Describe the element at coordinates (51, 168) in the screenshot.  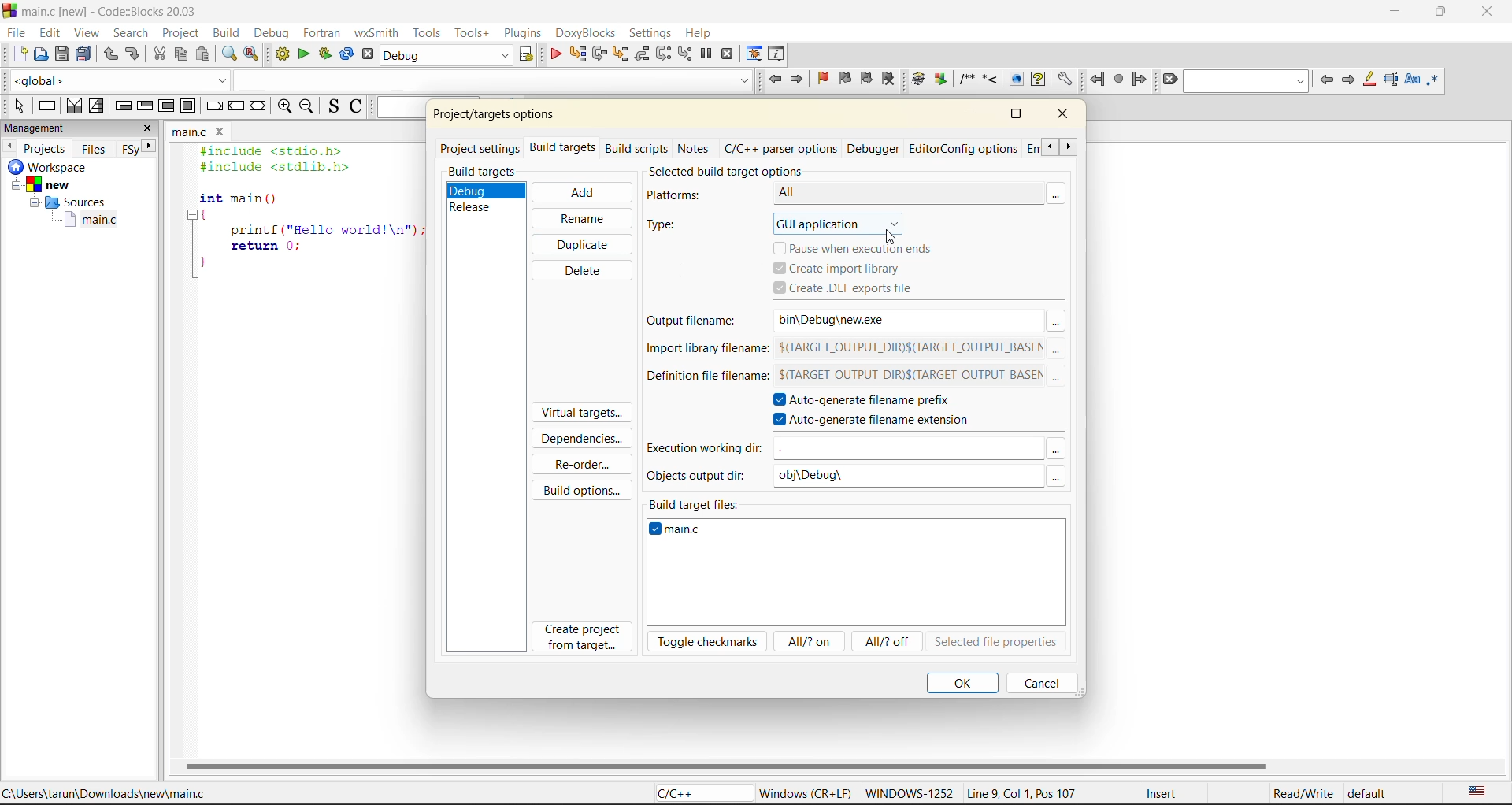
I see `workspace` at that location.